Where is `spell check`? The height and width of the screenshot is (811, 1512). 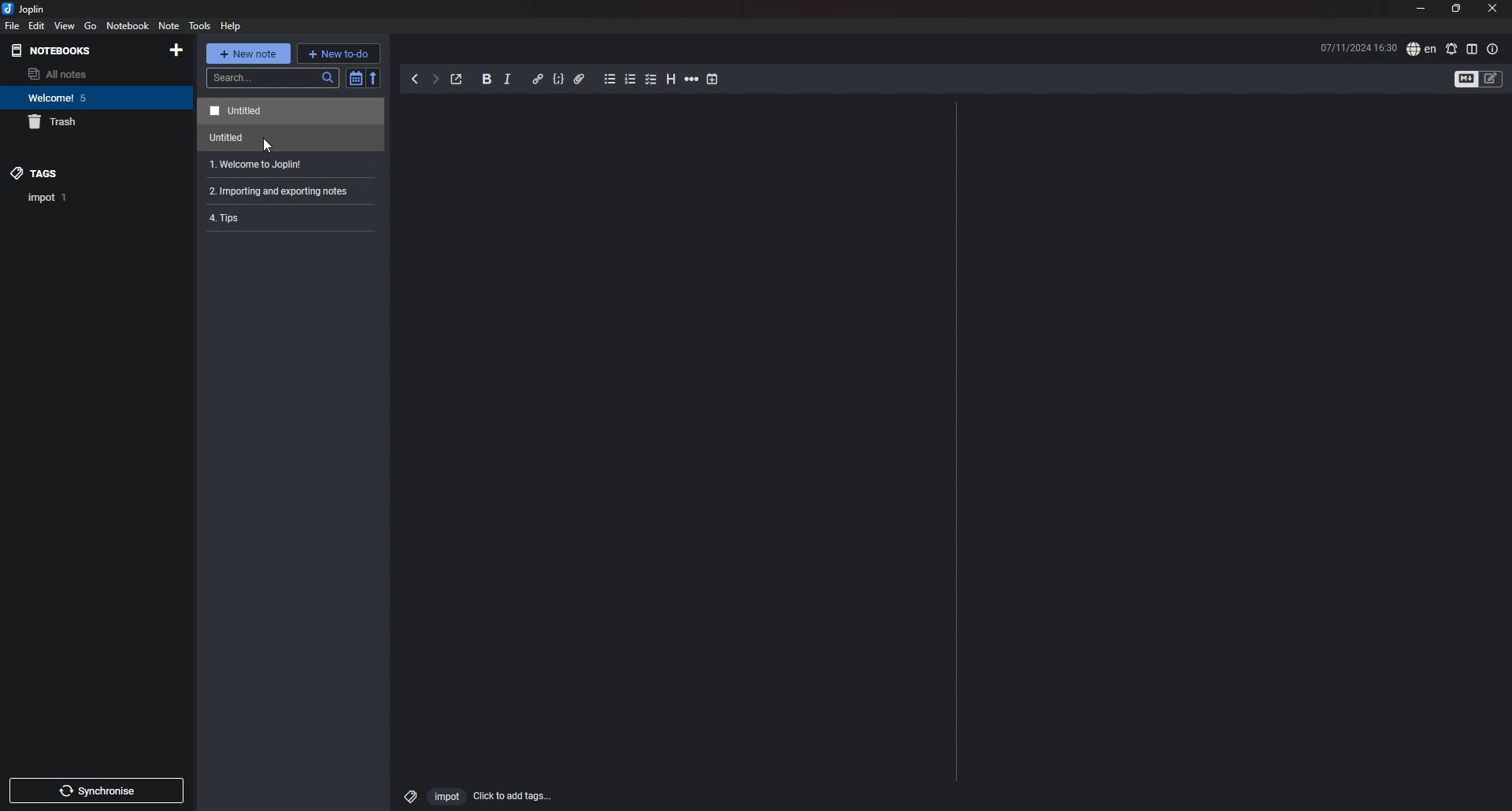 spell check is located at coordinates (1421, 50).